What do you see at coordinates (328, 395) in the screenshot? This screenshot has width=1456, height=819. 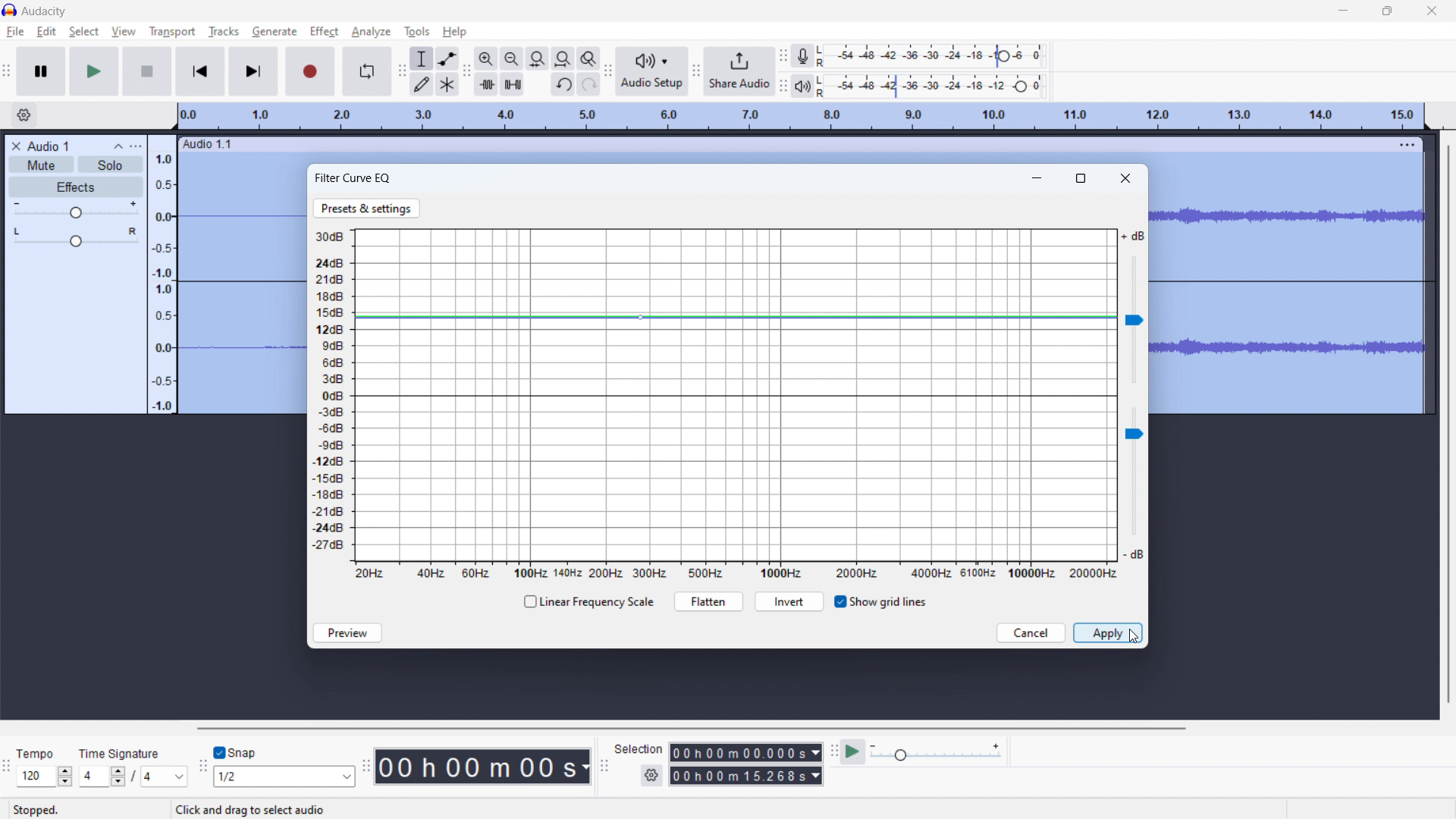 I see `volume scale` at bounding box center [328, 395].